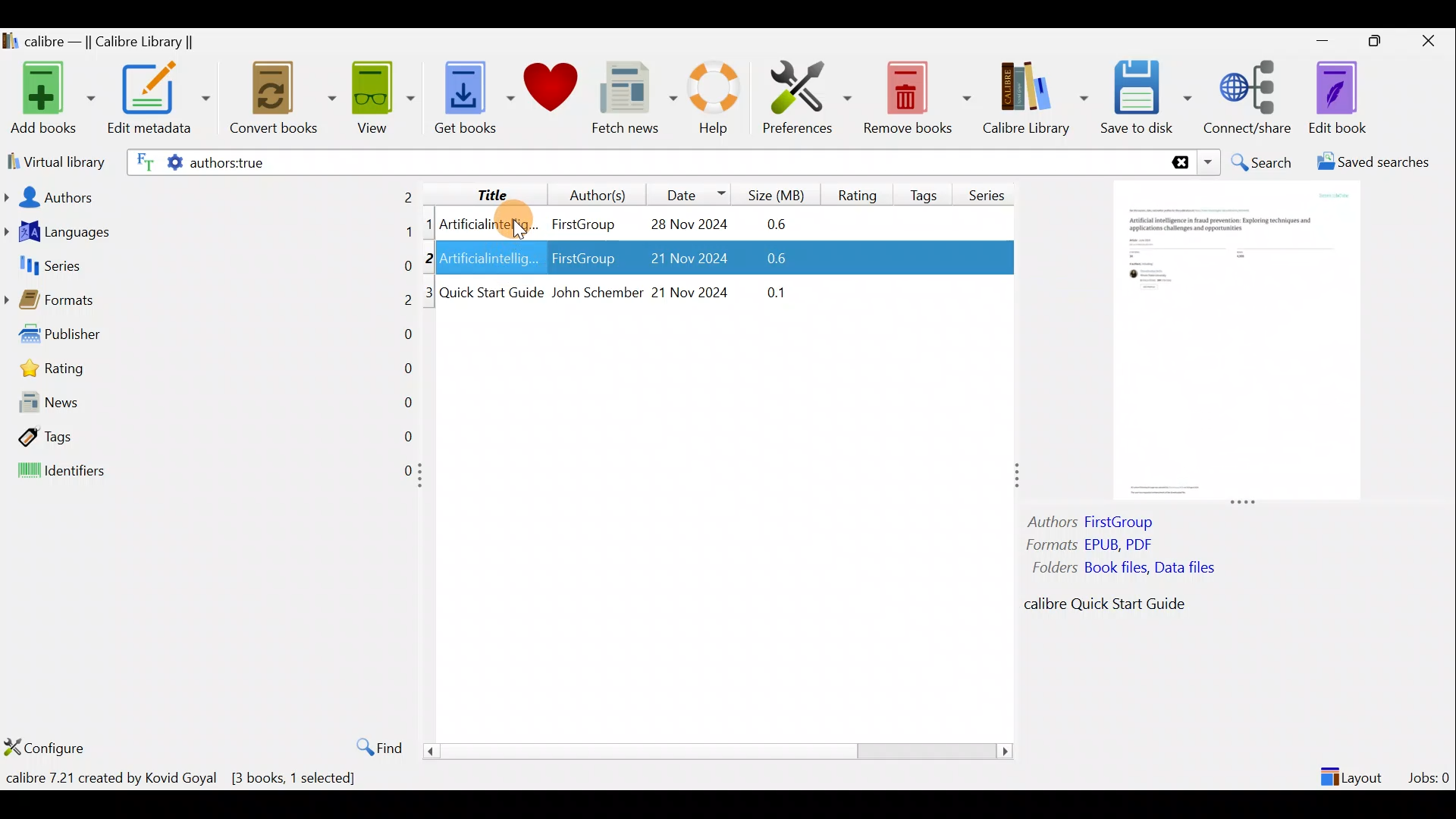 This screenshot has width=1456, height=819. What do you see at coordinates (692, 290) in the screenshot?
I see `21 Nov 2024` at bounding box center [692, 290].